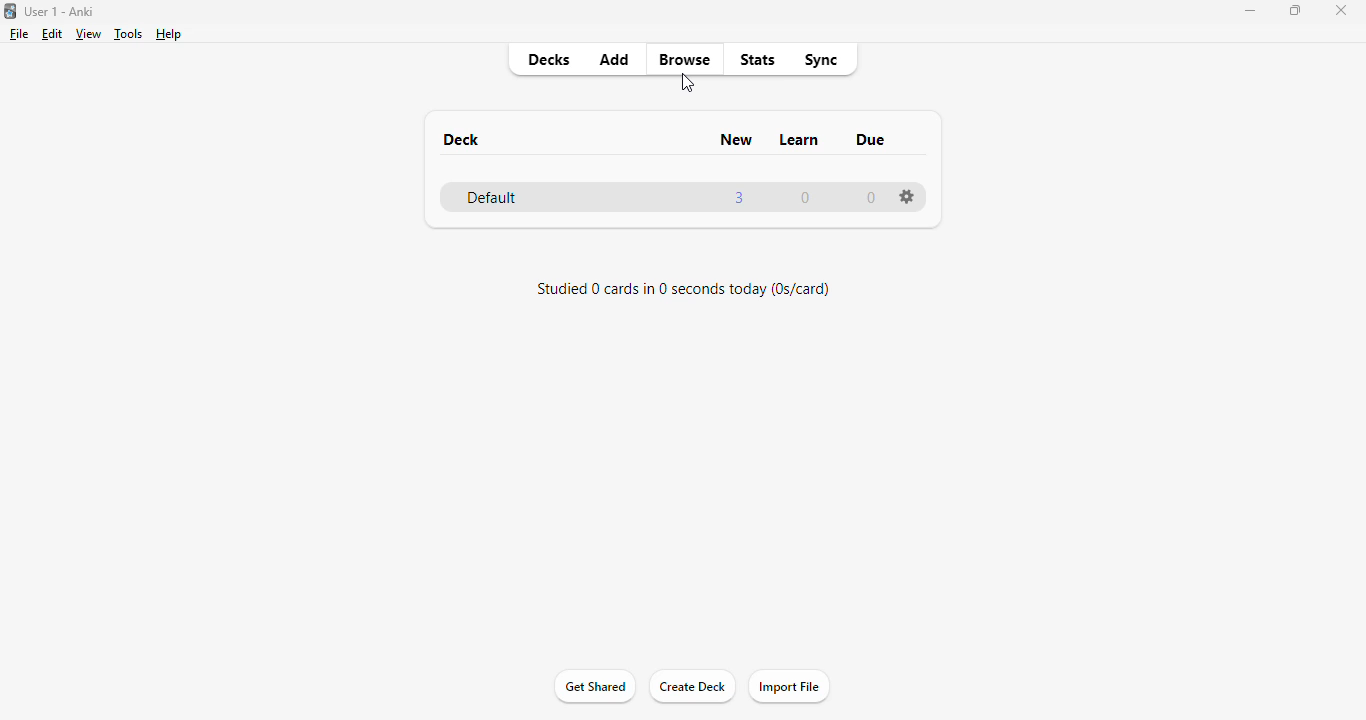  What do you see at coordinates (737, 140) in the screenshot?
I see `new` at bounding box center [737, 140].